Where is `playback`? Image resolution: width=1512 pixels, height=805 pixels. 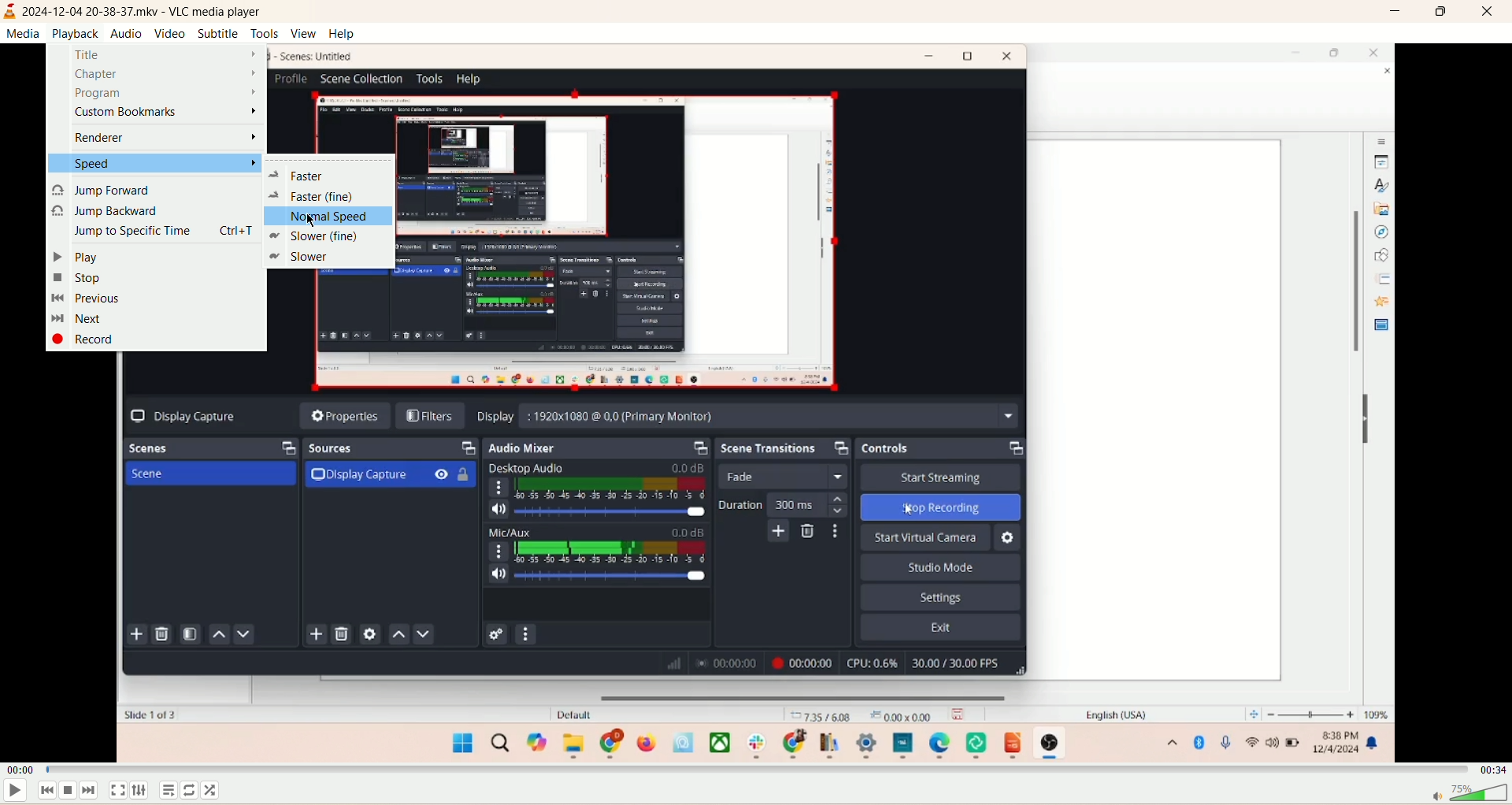 playback is located at coordinates (73, 35).